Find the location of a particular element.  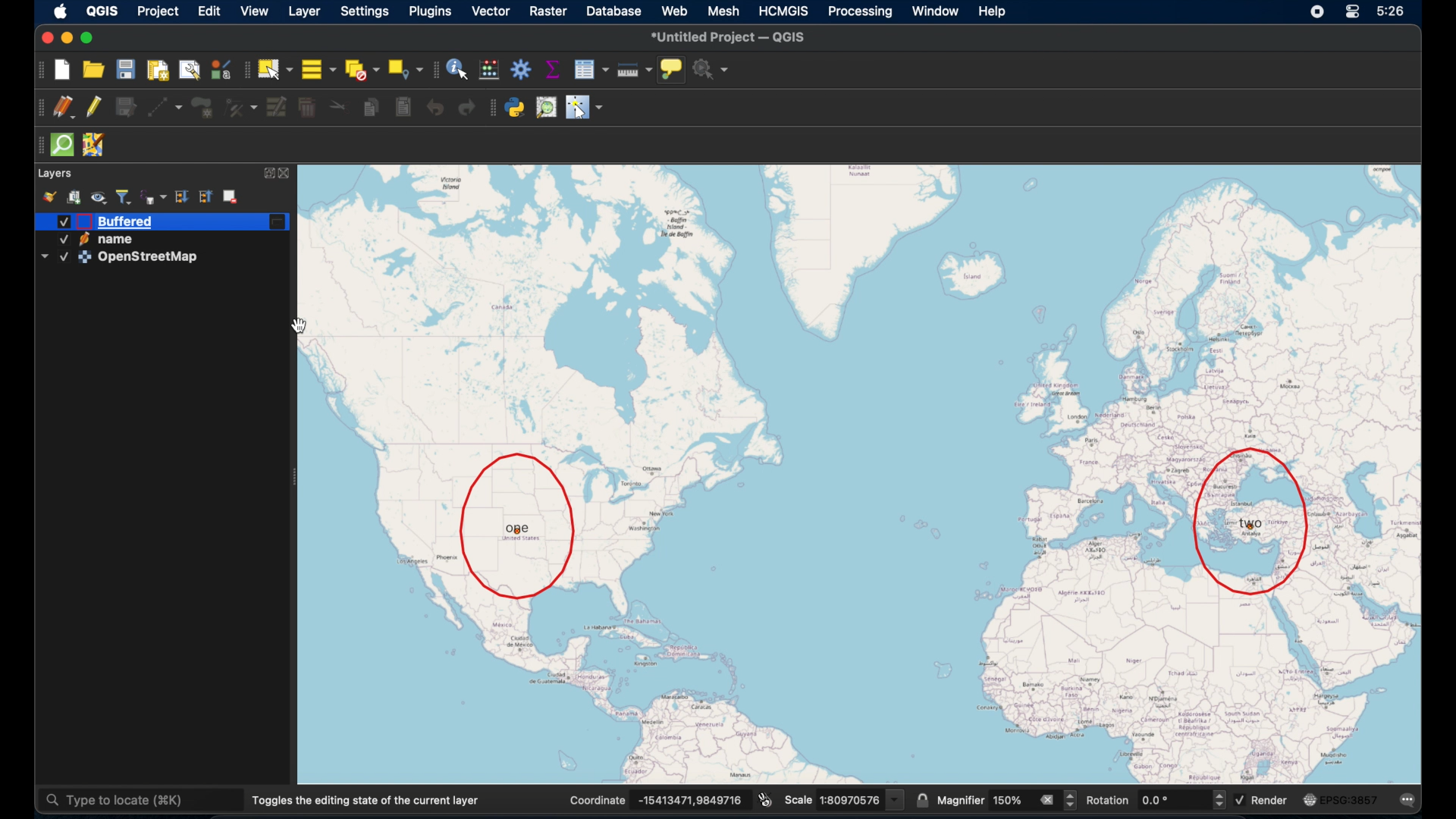

increase or decrease magnifier value is located at coordinates (1072, 800).